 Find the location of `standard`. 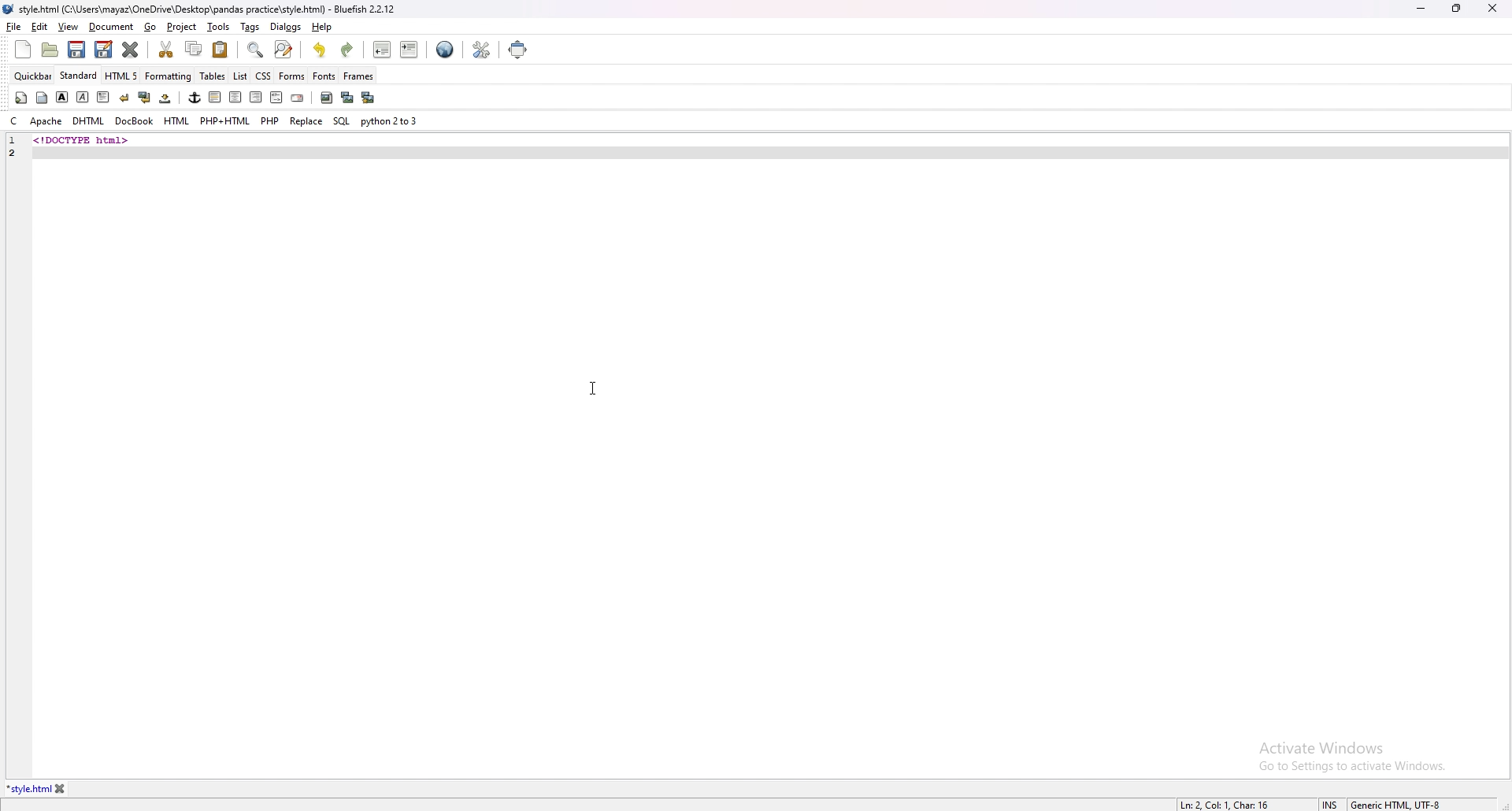

standard is located at coordinates (80, 76).